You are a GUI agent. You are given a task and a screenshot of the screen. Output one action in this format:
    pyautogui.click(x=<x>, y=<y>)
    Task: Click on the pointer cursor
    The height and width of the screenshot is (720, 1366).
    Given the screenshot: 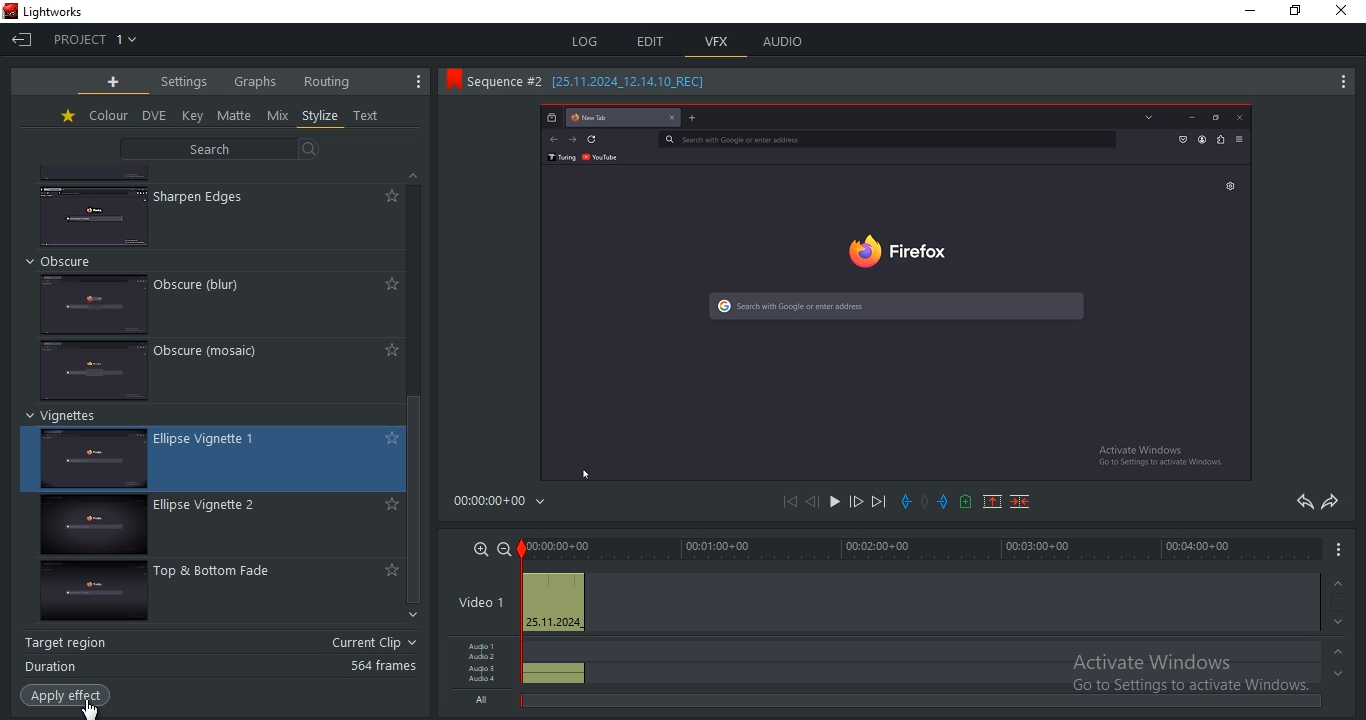 What is the action you would take?
    pyautogui.click(x=87, y=710)
    